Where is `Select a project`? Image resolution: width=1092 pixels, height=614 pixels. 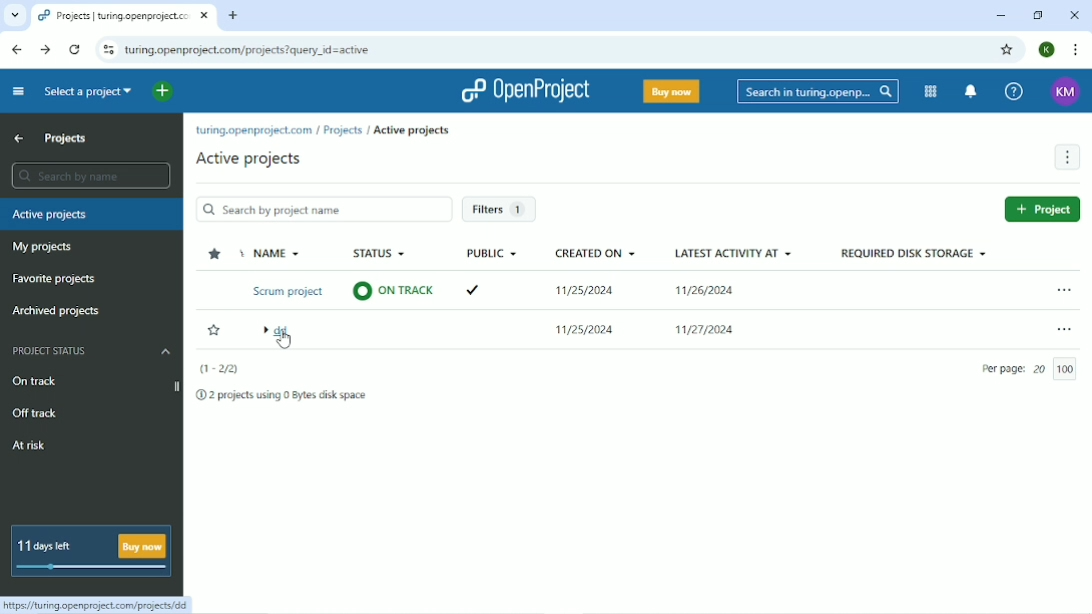 Select a project is located at coordinates (88, 91).